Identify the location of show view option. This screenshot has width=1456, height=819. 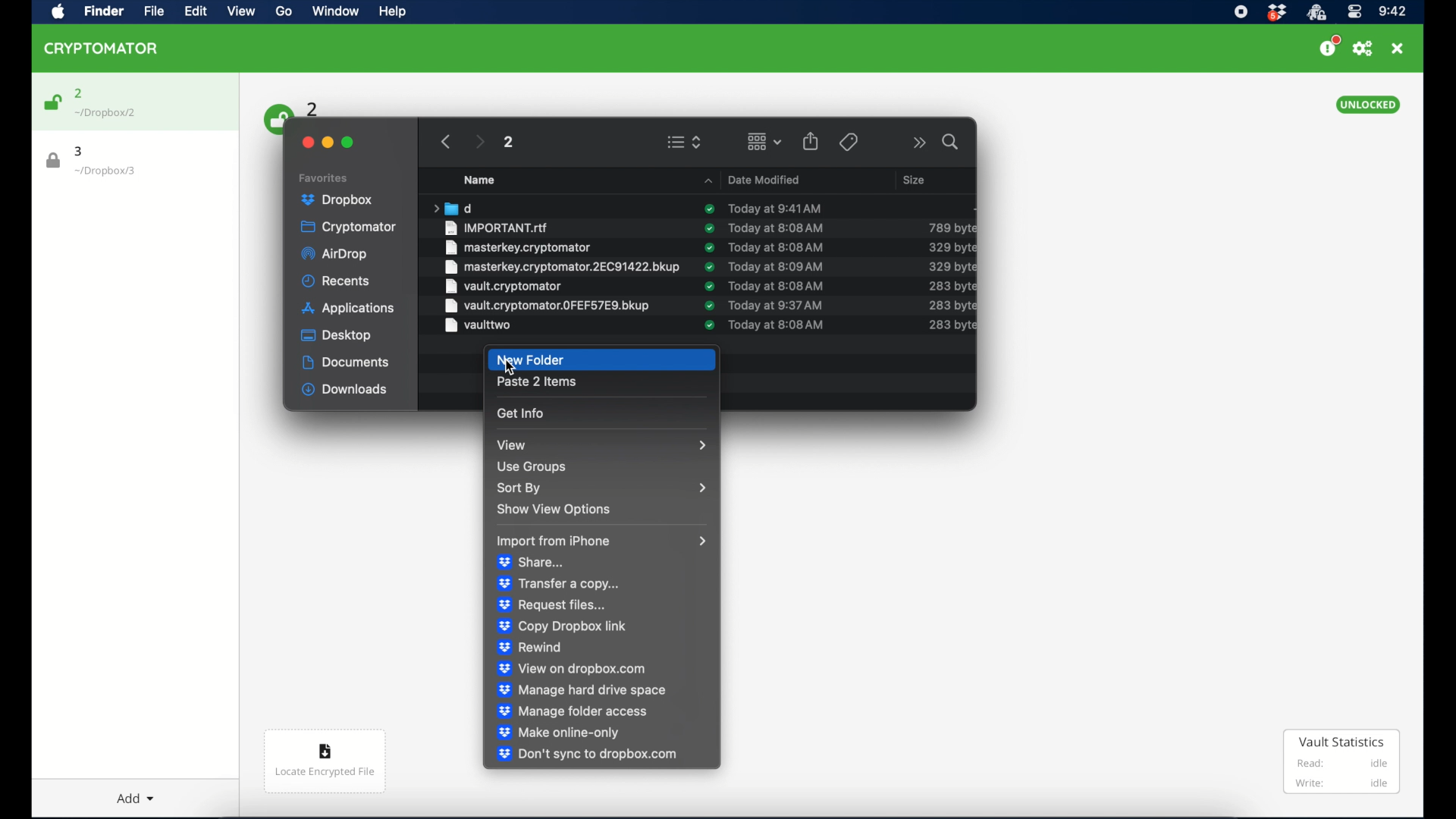
(553, 510).